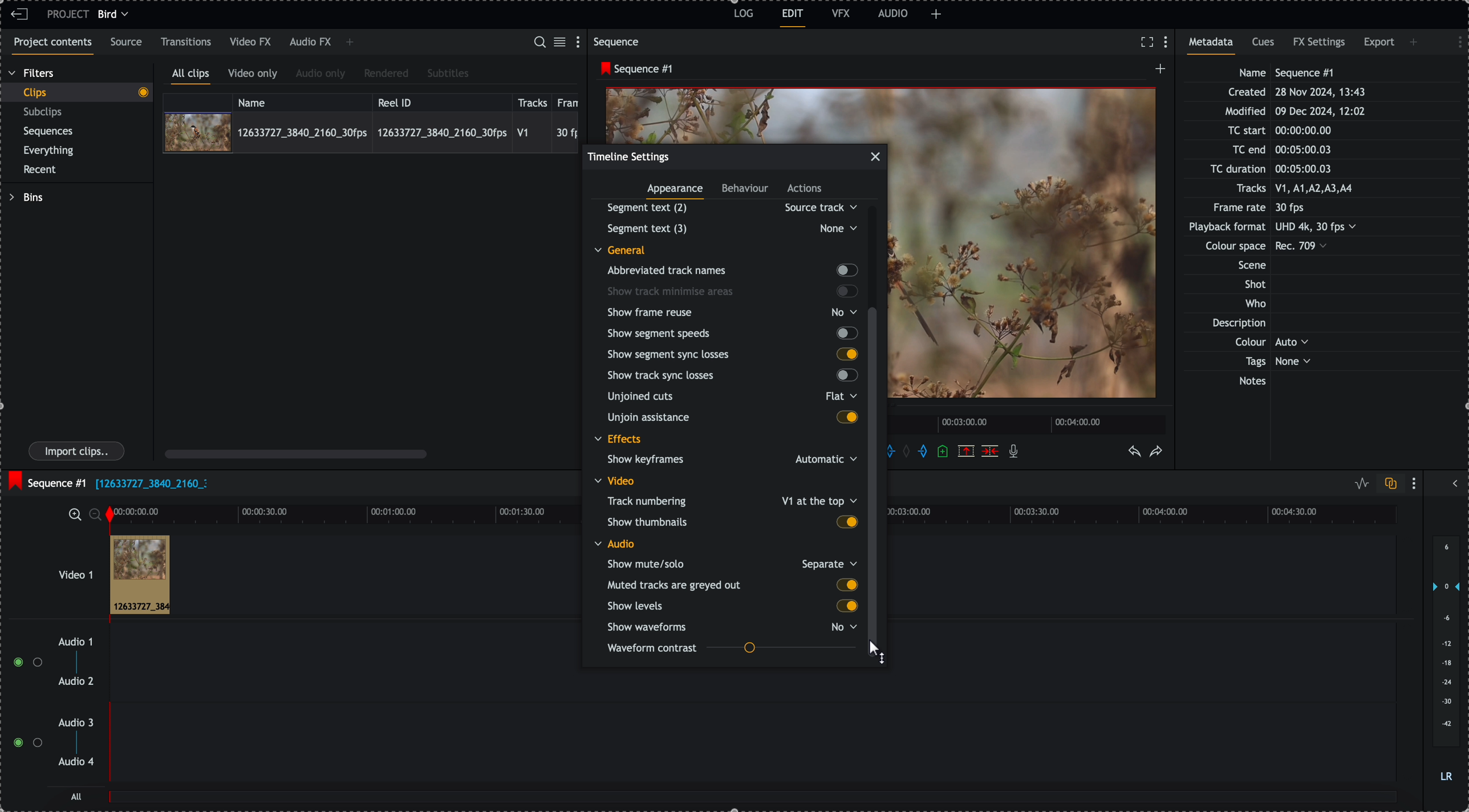  I want to click on video preview, so click(746, 113).